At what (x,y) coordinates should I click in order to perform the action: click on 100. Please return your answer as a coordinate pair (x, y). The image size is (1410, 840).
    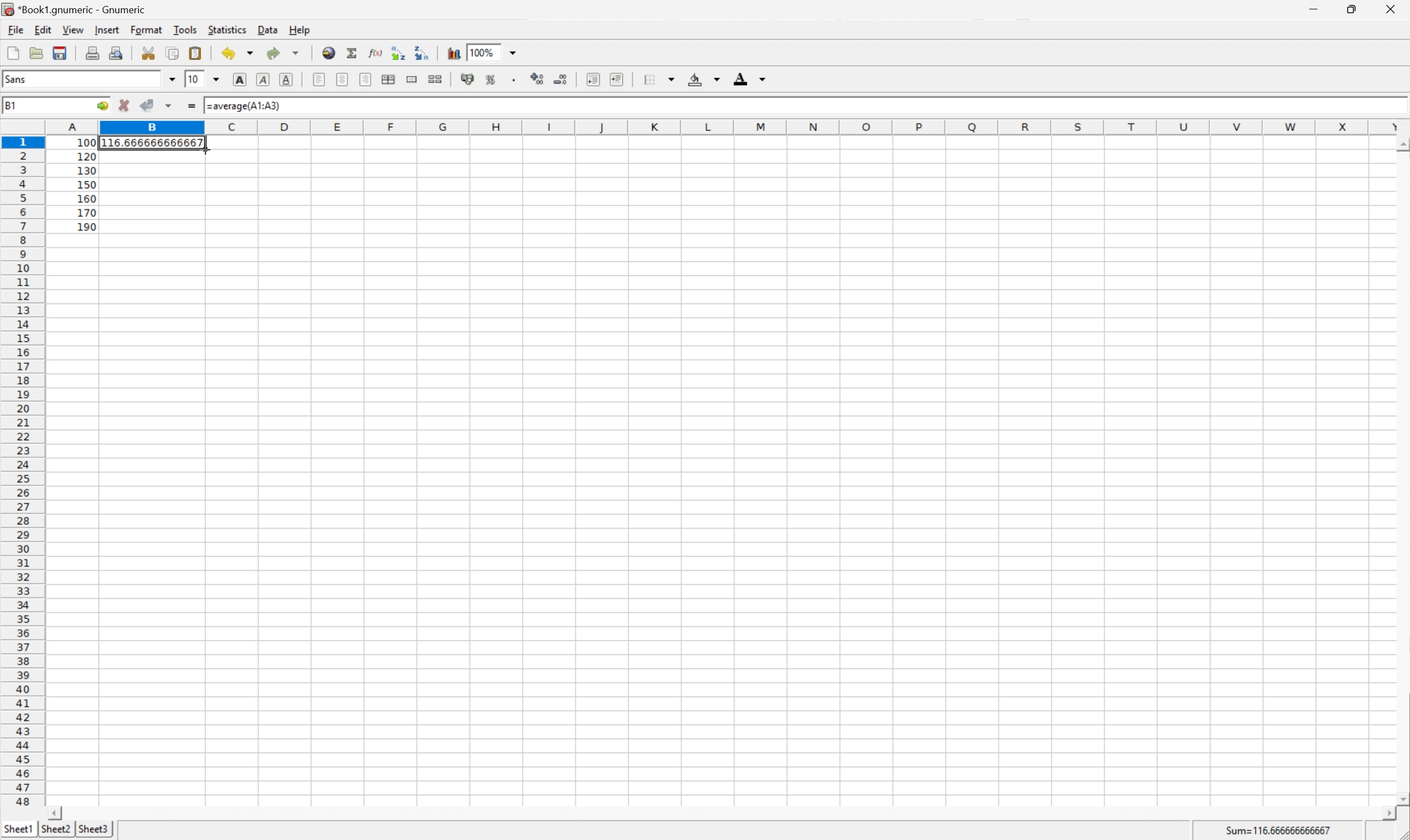
    Looking at the image, I should click on (87, 142).